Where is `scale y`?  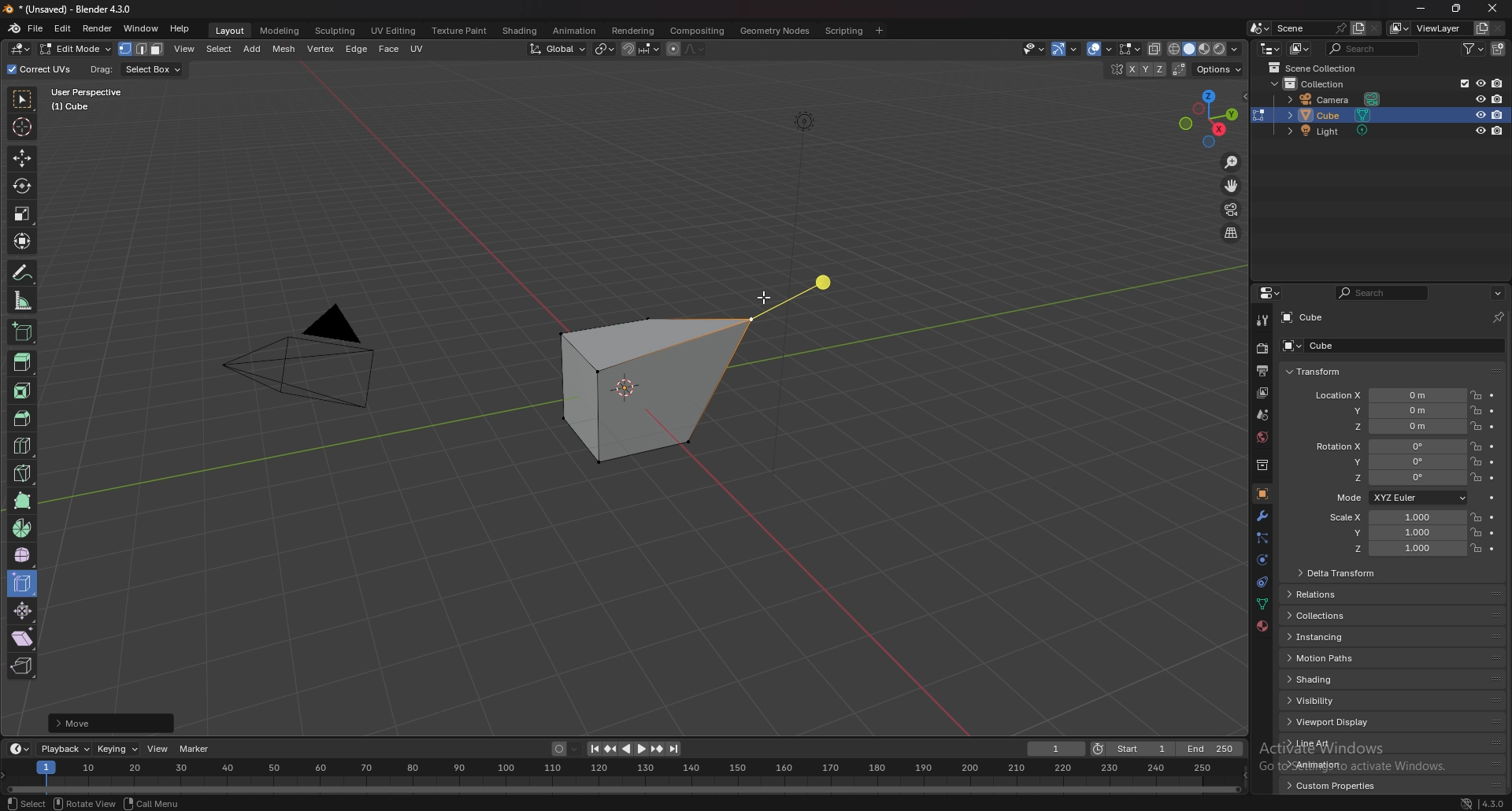
scale y is located at coordinates (1396, 533).